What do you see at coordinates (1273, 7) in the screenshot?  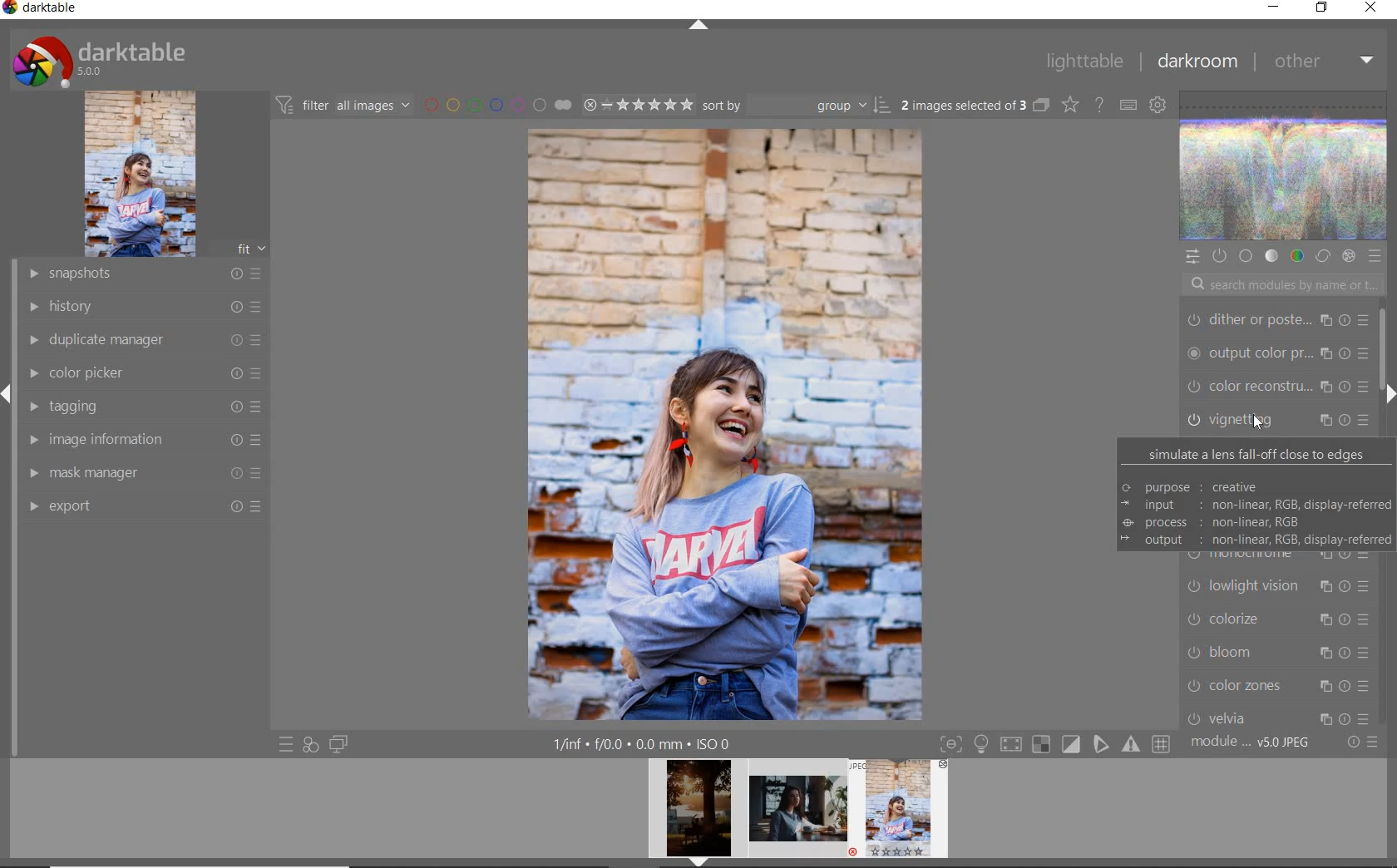 I see `MINIMIZE` at bounding box center [1273, 7].